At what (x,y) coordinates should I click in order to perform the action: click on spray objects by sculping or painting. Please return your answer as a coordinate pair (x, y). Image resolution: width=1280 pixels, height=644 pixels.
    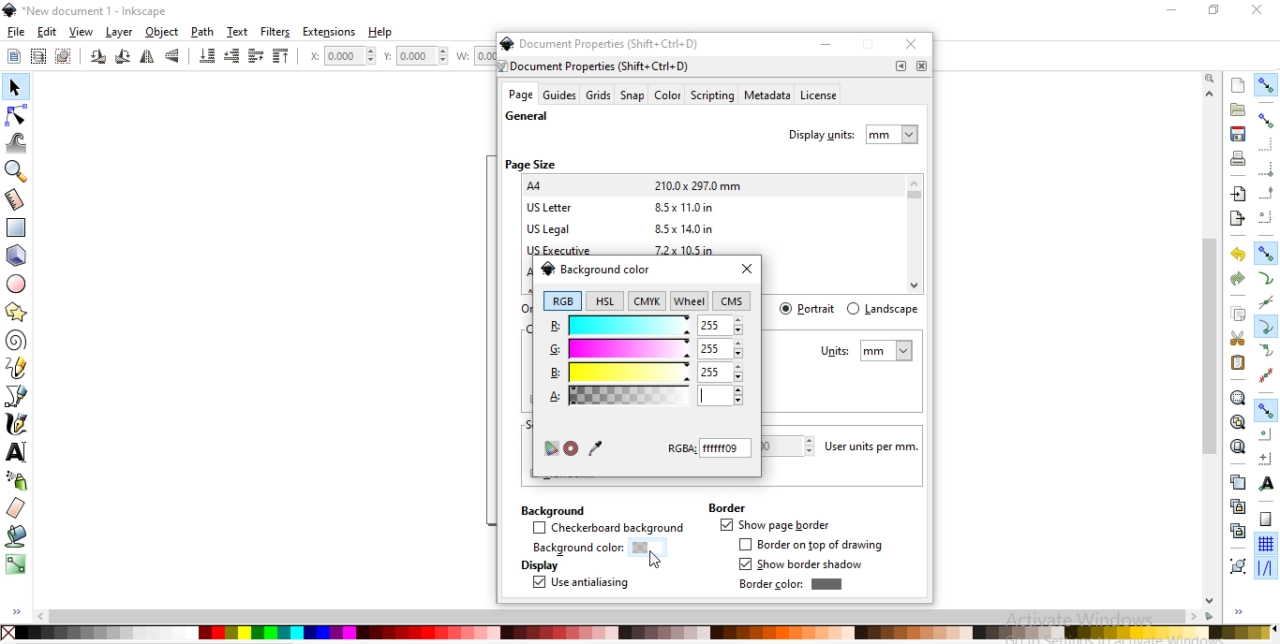
    Looking at the image, I should click on (21, 480).